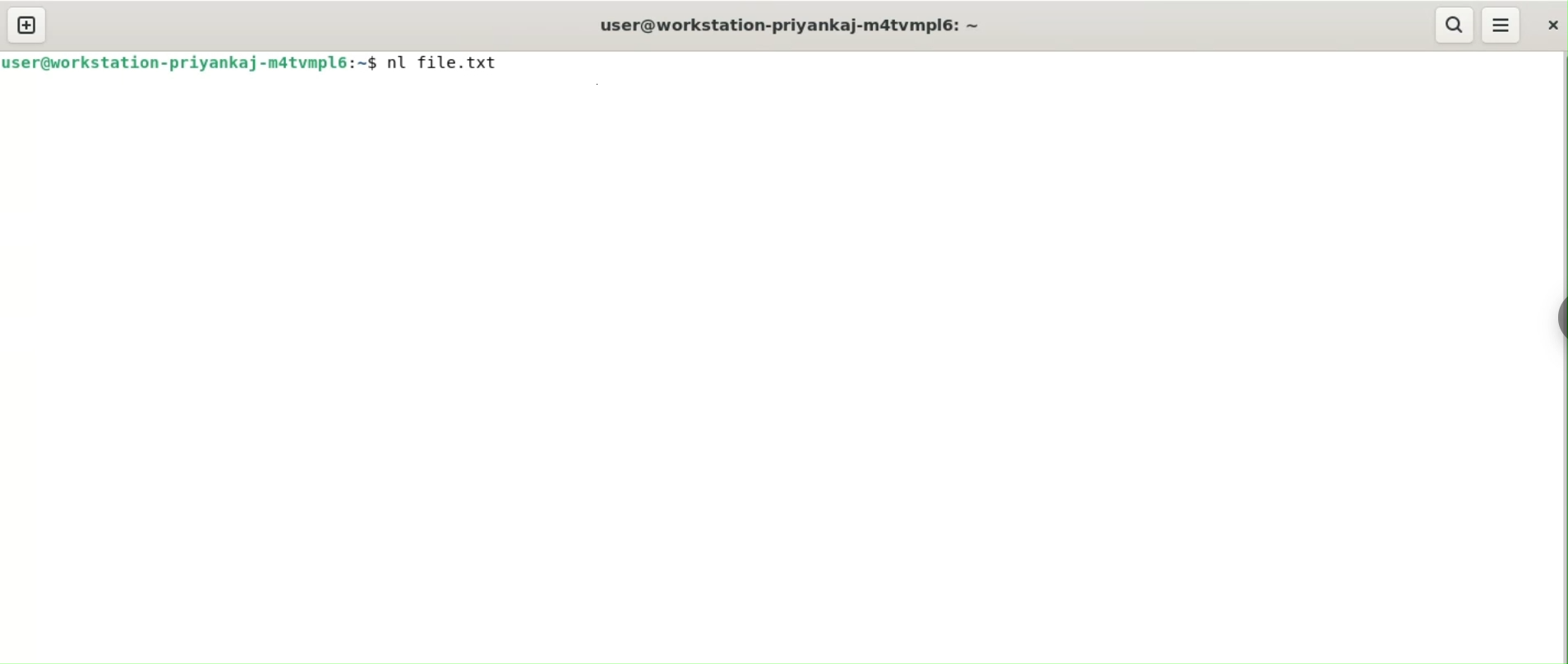  What do you see at coordinates (1456, 25) in the screenshot?
I see `search` at bounding box center [1456, 25].